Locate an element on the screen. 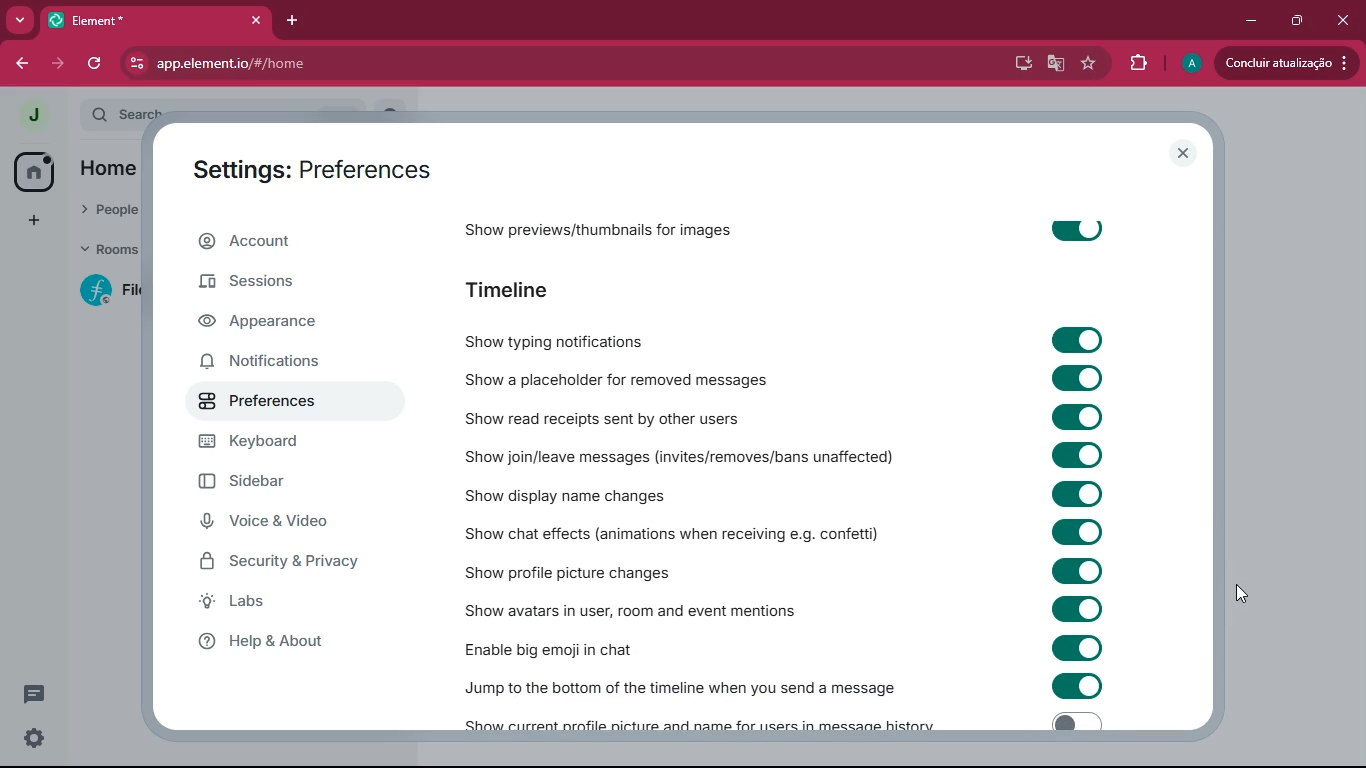 This screenshot has height=768, width=1366. add tab is located at coordinates (293, 20).